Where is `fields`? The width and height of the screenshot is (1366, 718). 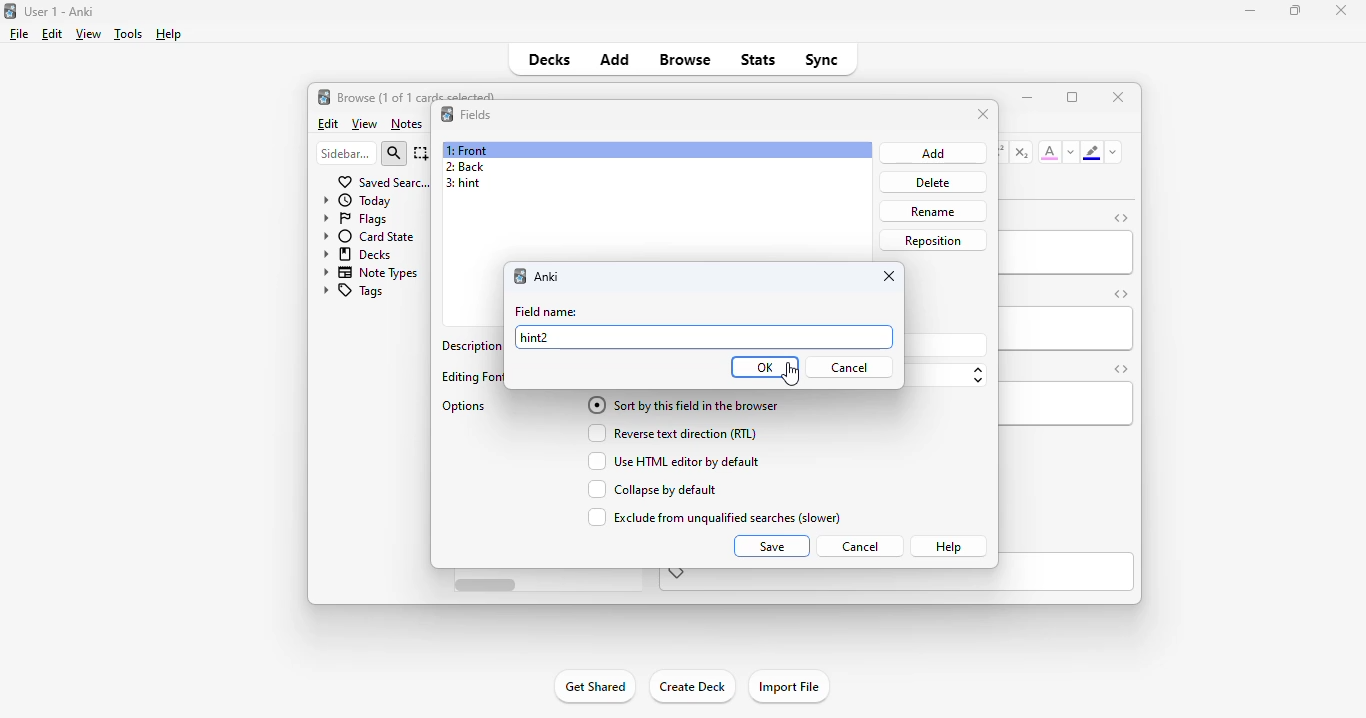
fields is located at coordinates (476, 115).